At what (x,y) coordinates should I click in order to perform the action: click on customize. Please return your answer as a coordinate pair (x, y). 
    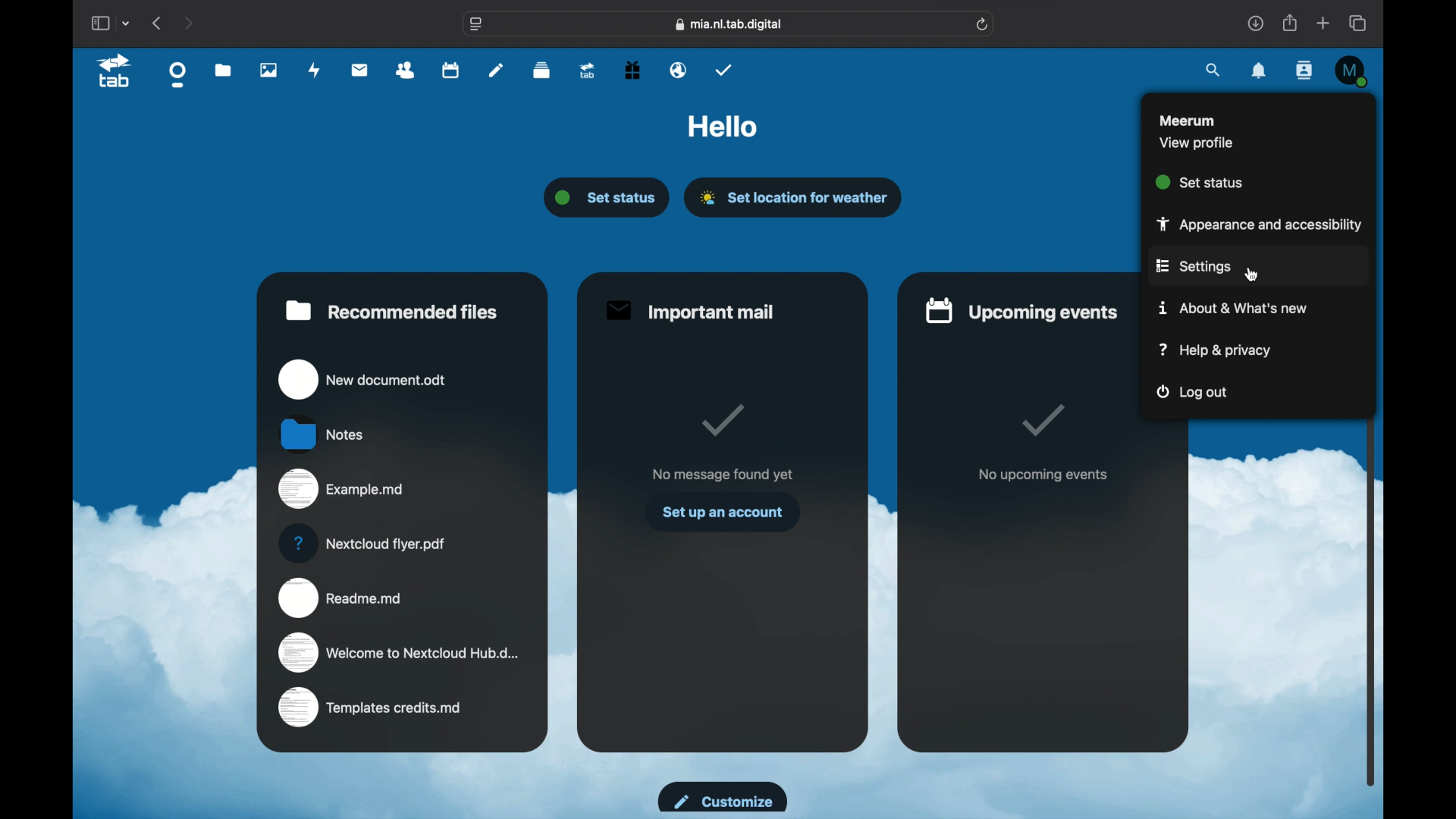
    Looking at the image, I should click on (723, 798).